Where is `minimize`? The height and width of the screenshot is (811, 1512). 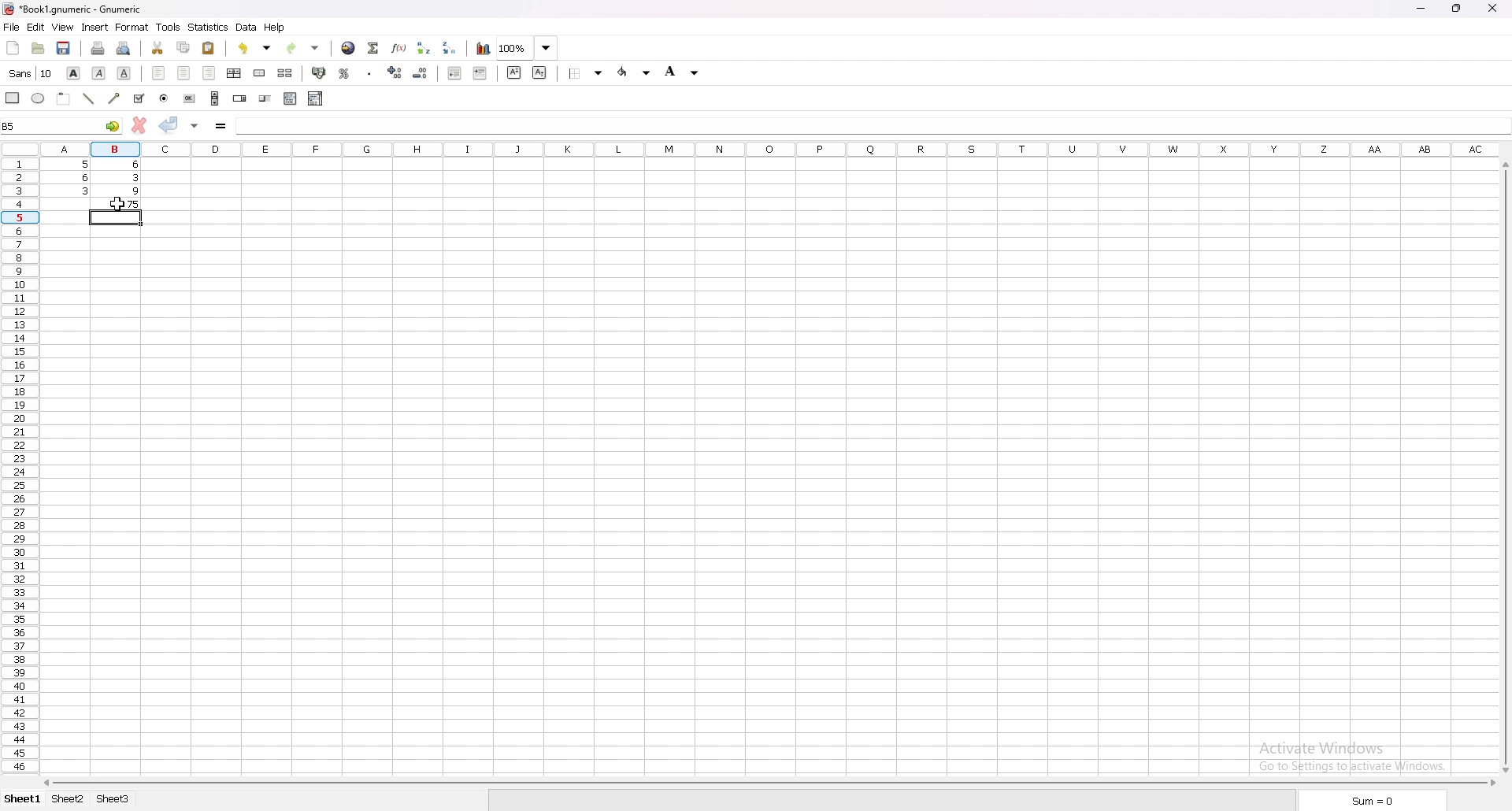
minimize is located at coordinates (1421, 9).